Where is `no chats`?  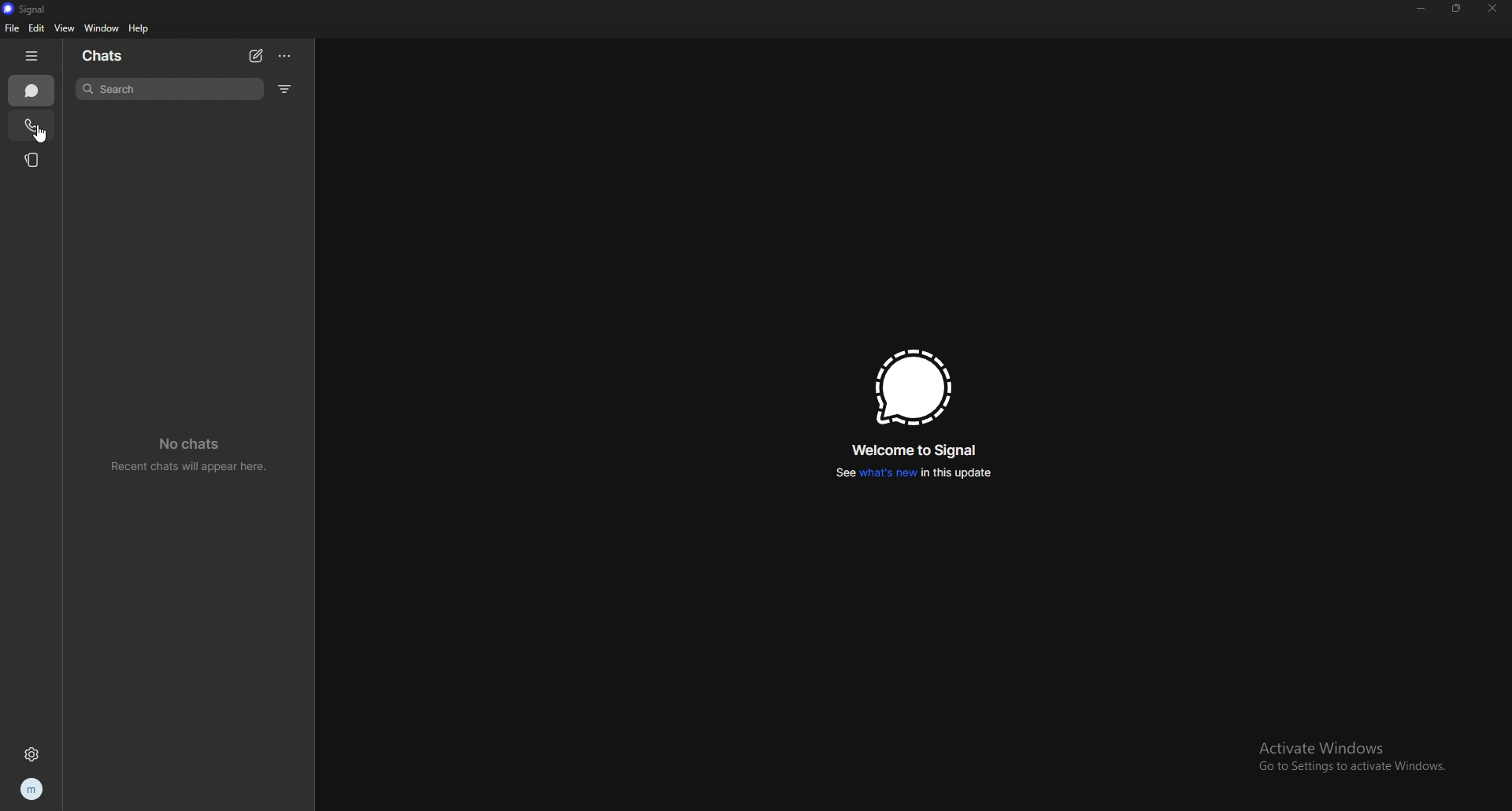
no chats is located at coordinates (195, 457).